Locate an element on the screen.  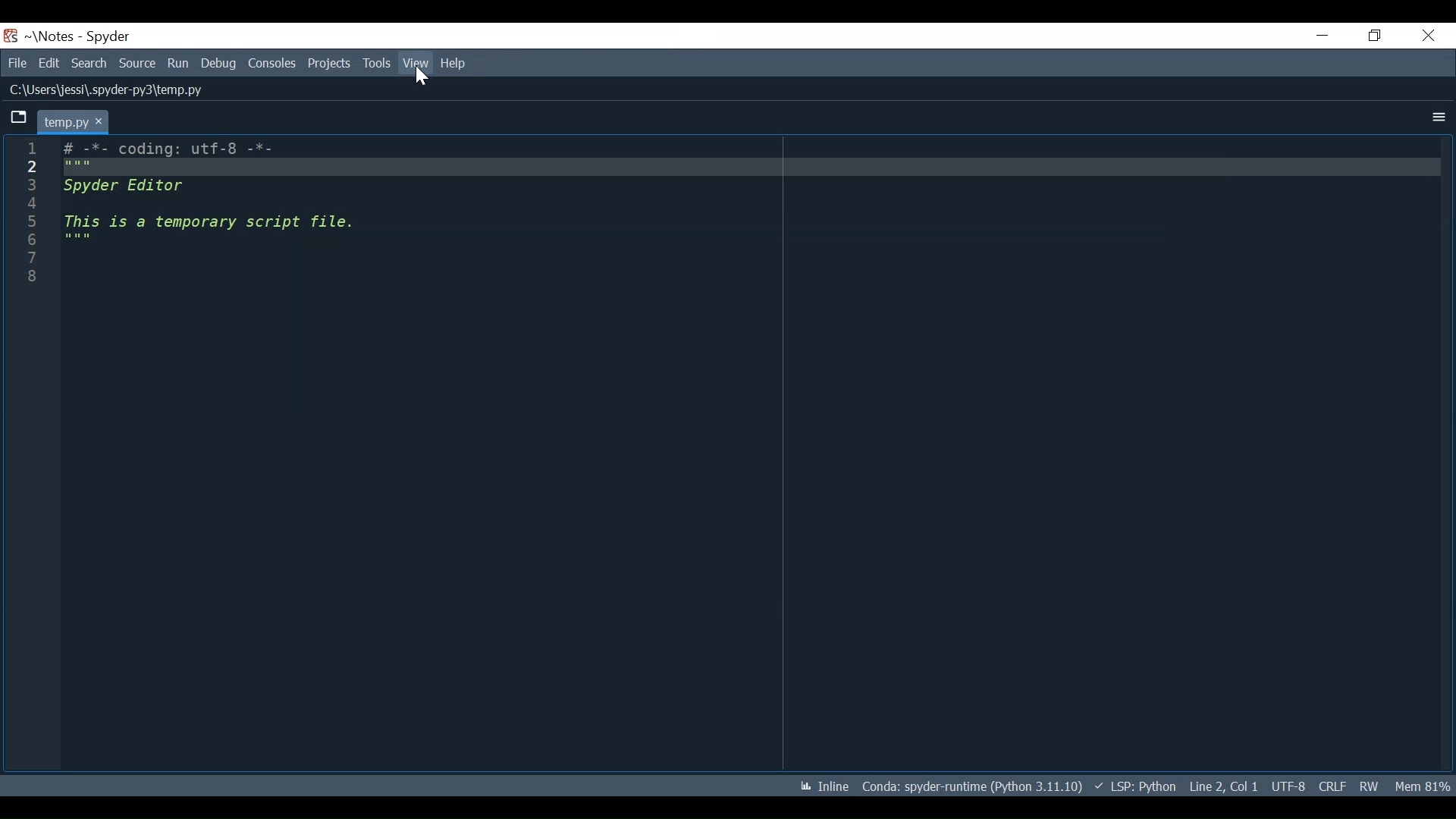
Help is located at coordinates (455, 62).